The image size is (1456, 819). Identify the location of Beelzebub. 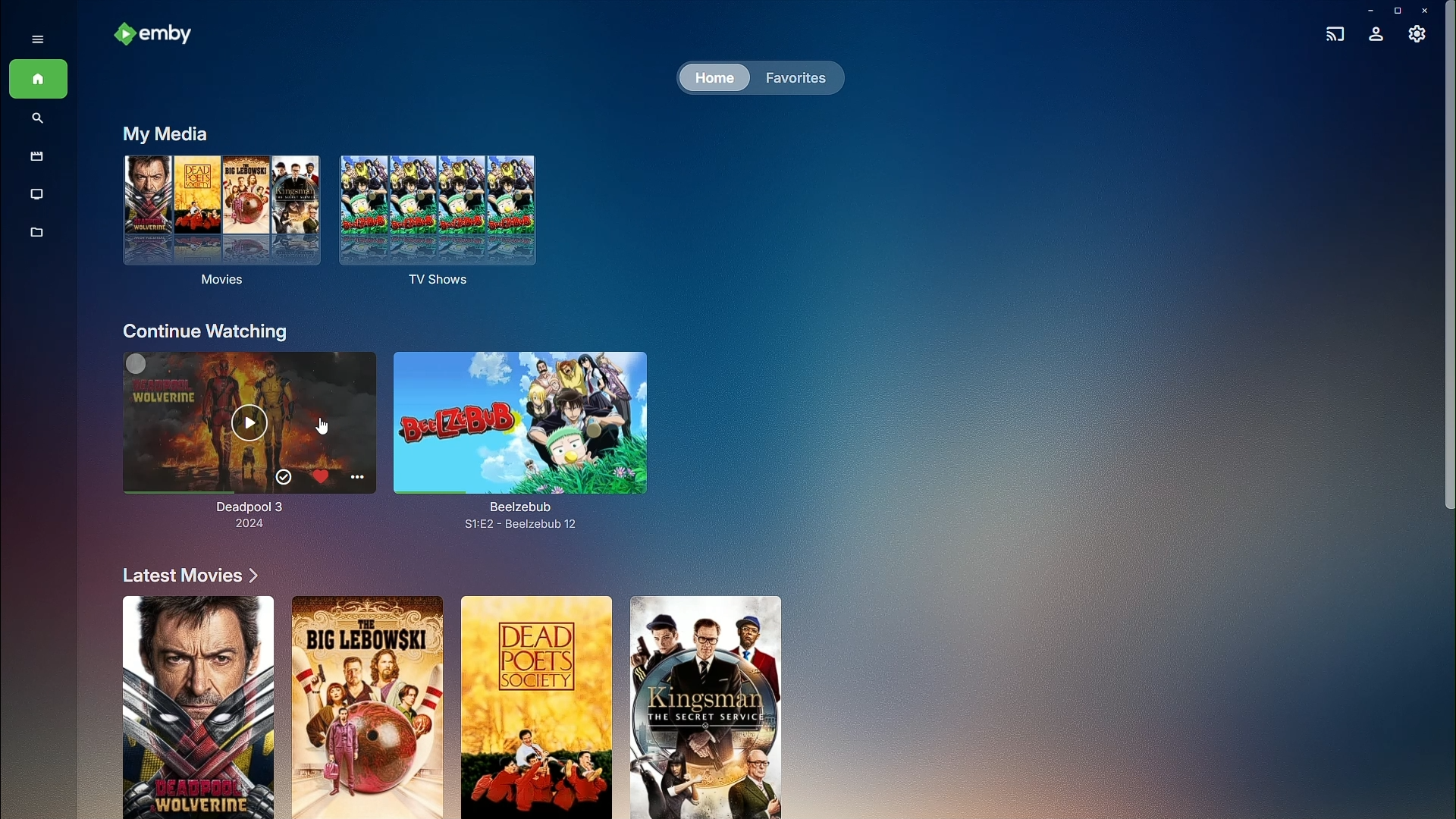
(529, 438).